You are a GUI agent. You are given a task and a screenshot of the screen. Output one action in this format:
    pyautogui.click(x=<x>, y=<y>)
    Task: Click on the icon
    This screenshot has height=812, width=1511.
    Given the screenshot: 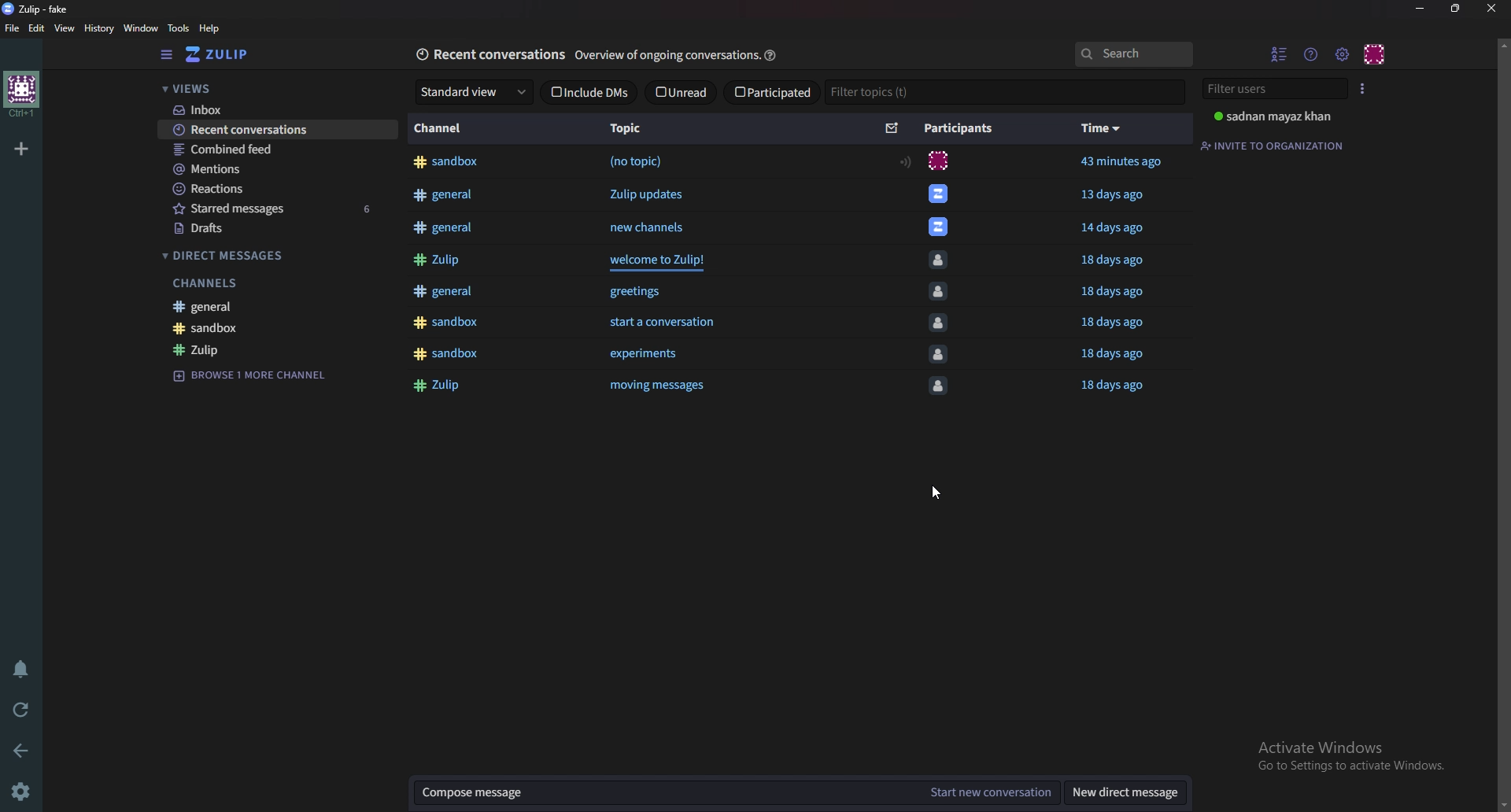 What is the action you would take?
    pyautogui.click(x=937, y=394)
    